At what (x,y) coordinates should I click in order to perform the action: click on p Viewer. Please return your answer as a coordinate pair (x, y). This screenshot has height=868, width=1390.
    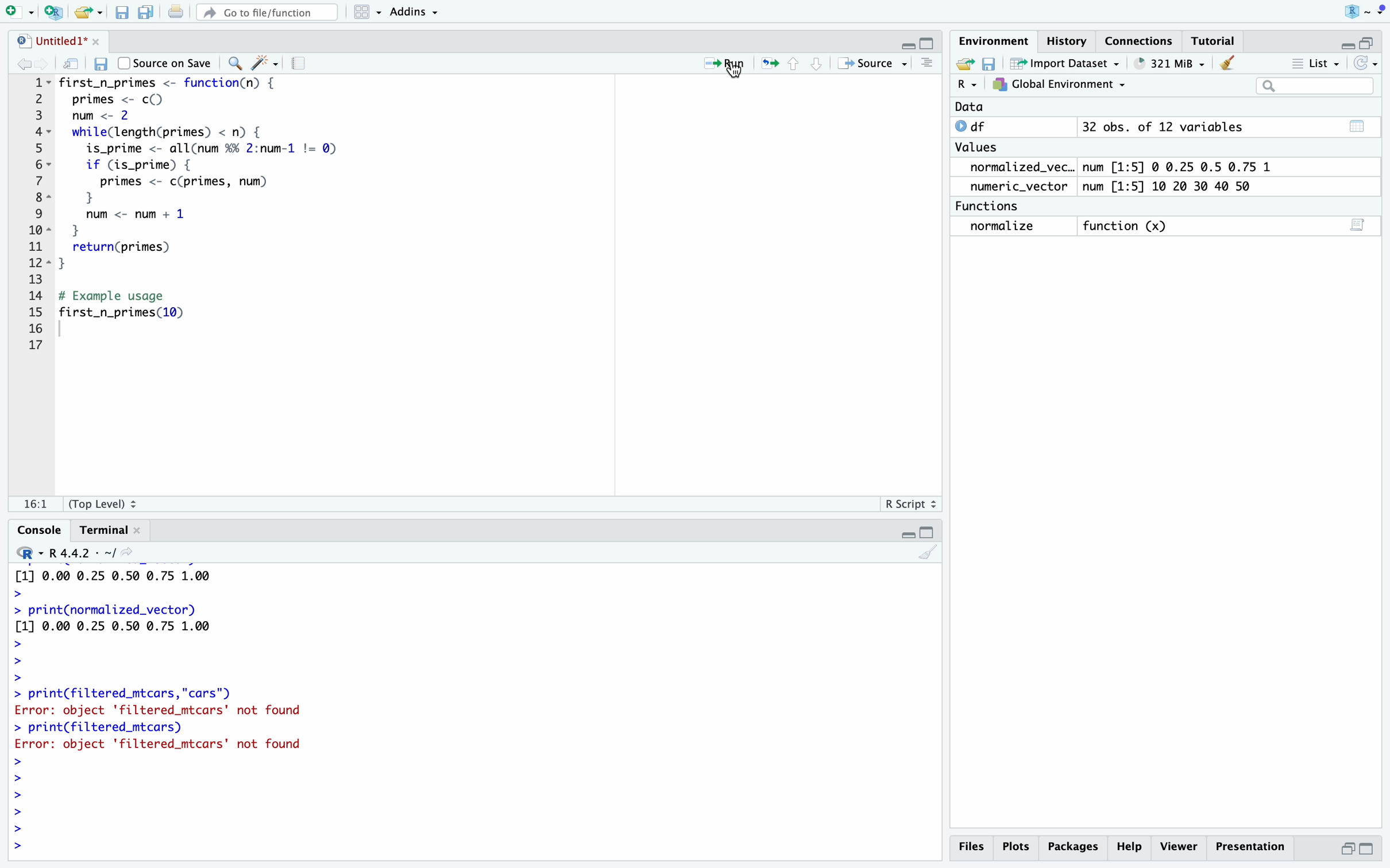
    Looking at the image, I should click on (1182, 846).